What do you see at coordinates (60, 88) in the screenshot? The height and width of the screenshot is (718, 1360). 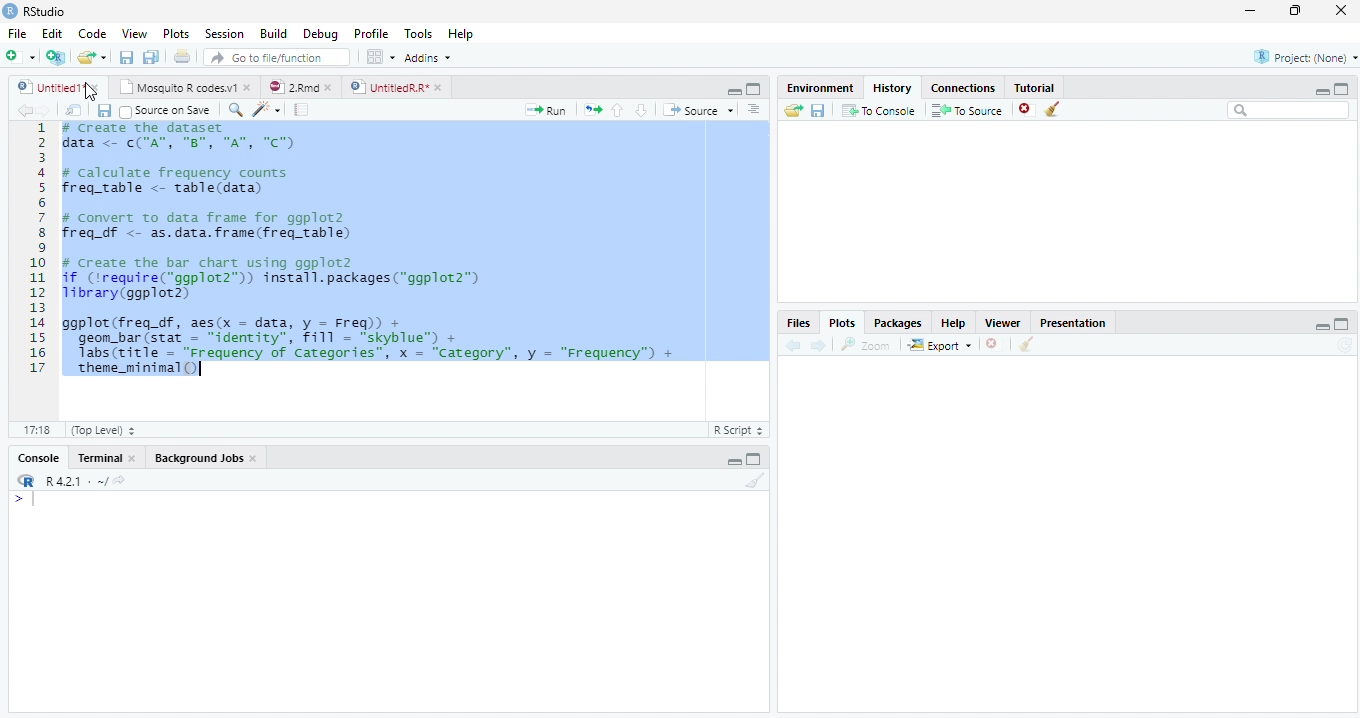 I see `Untitled` at bounding box center [60, 88].